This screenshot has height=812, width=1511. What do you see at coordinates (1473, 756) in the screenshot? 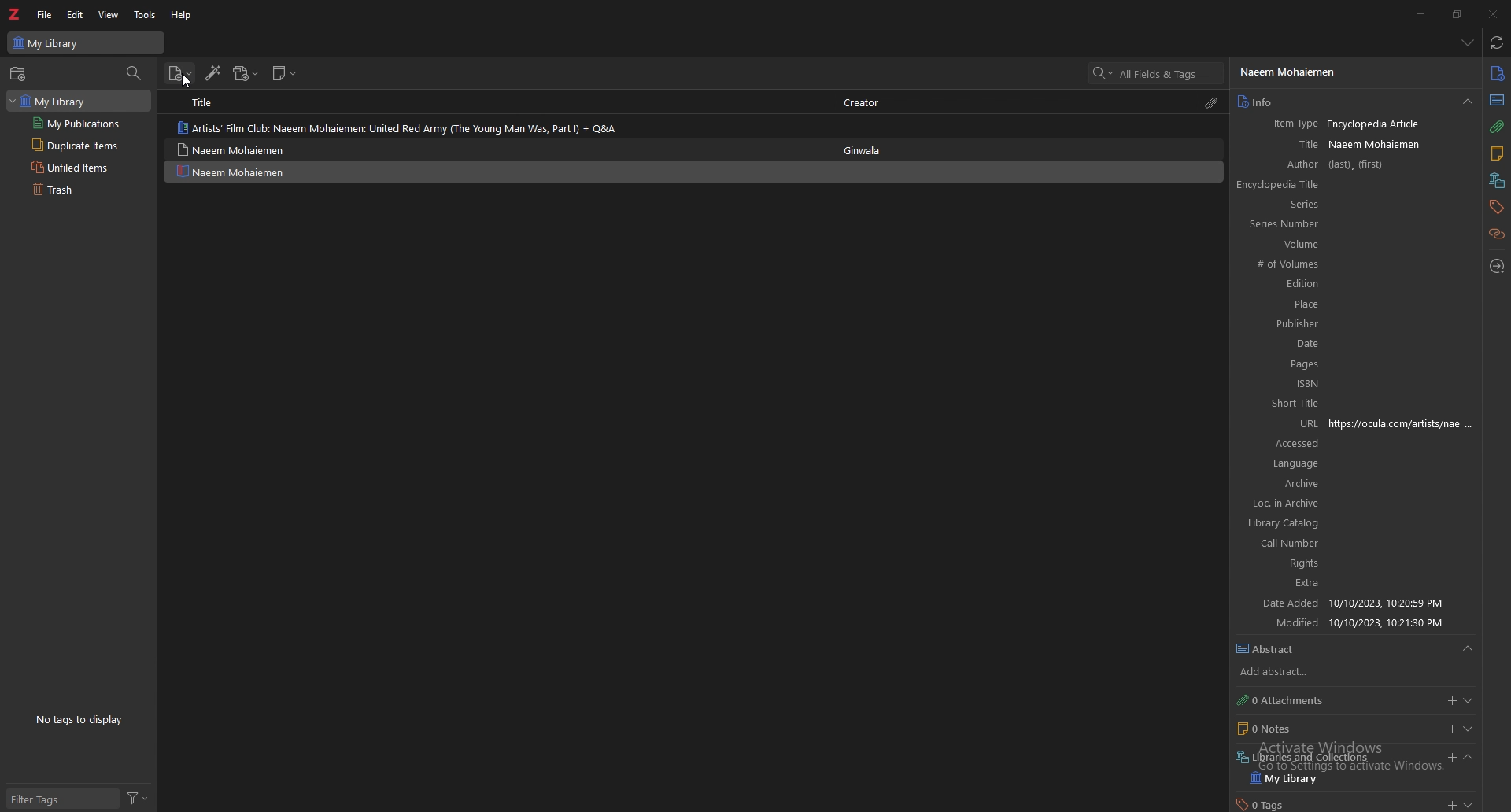
I see `expand section` at bounding box center [1473, 756].